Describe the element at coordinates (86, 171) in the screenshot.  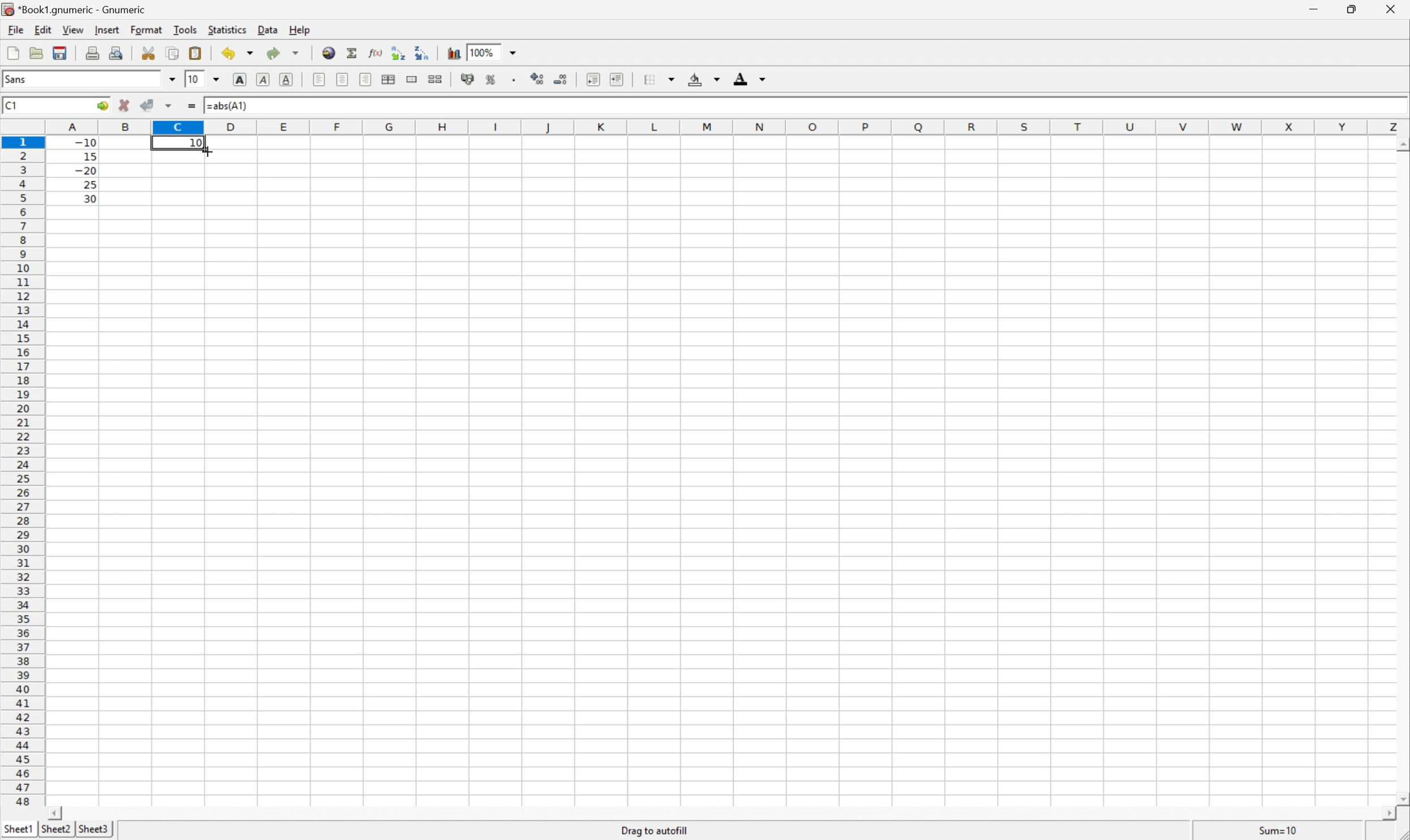
I see `-20` at that location.